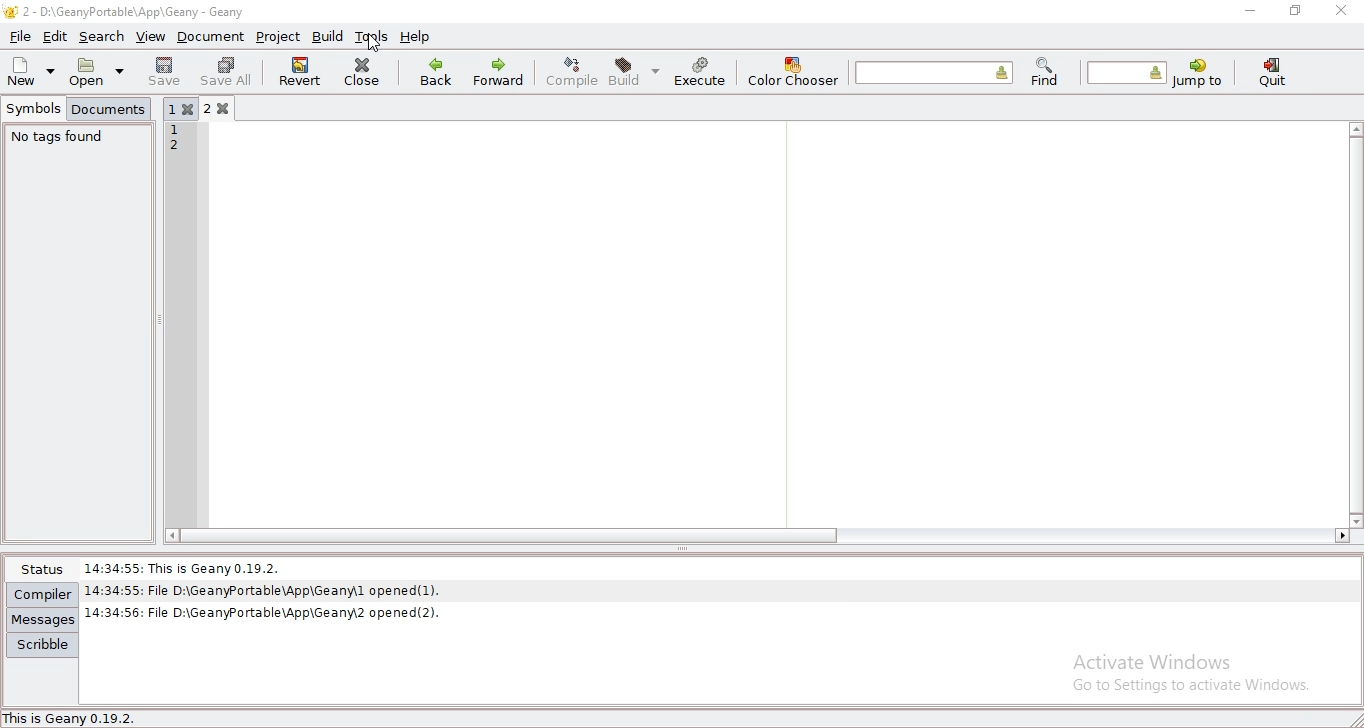 The image size is (1364, 728). I want to click on tools, so click(372, 36).